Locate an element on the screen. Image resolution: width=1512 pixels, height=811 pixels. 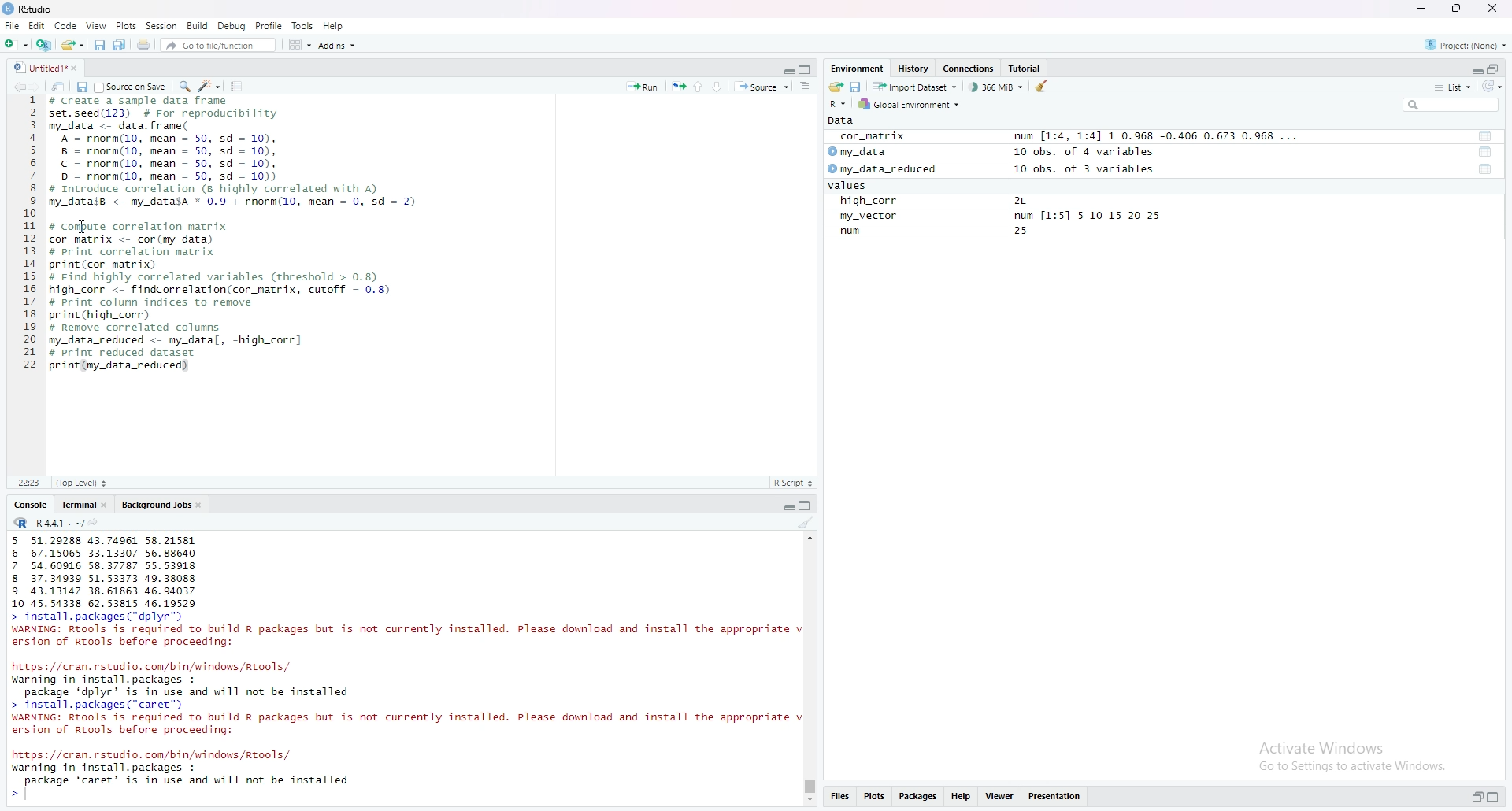
R Script  is located at coordinates (793, 484).